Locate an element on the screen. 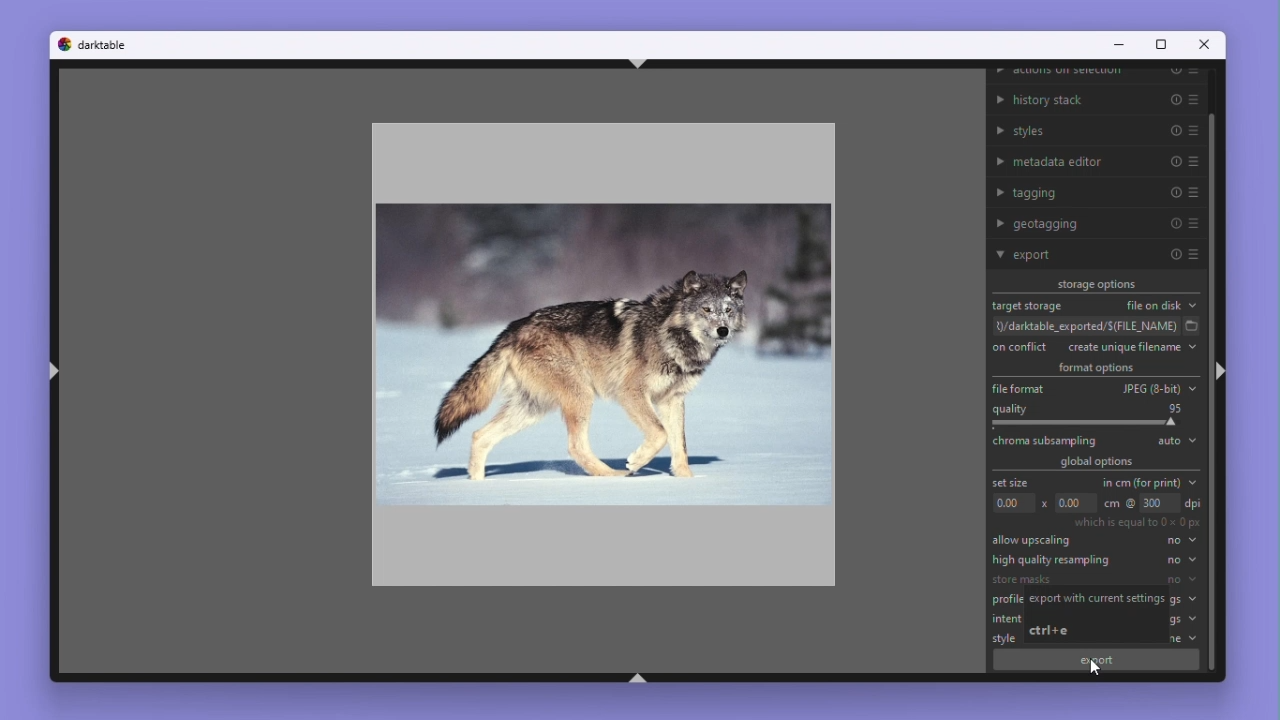  ctrl+shift+r is located at coordinates (1223, 371).